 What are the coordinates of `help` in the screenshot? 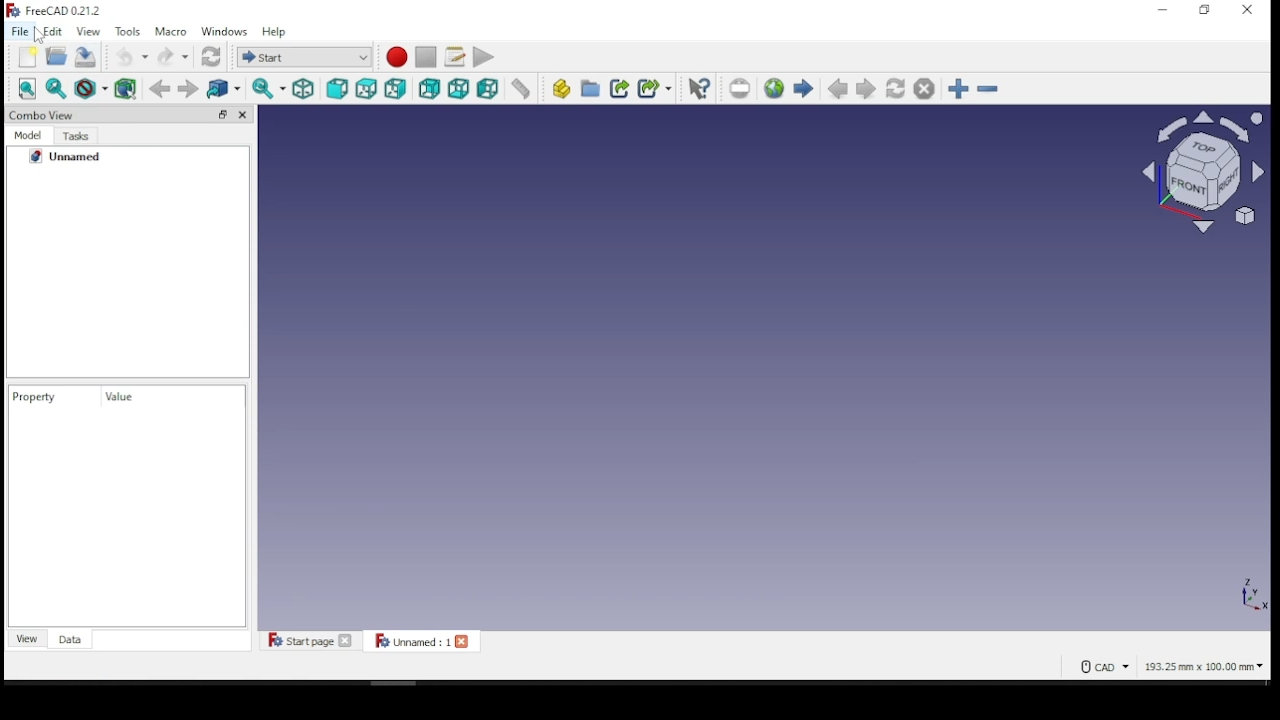 It's located at (273, 31).